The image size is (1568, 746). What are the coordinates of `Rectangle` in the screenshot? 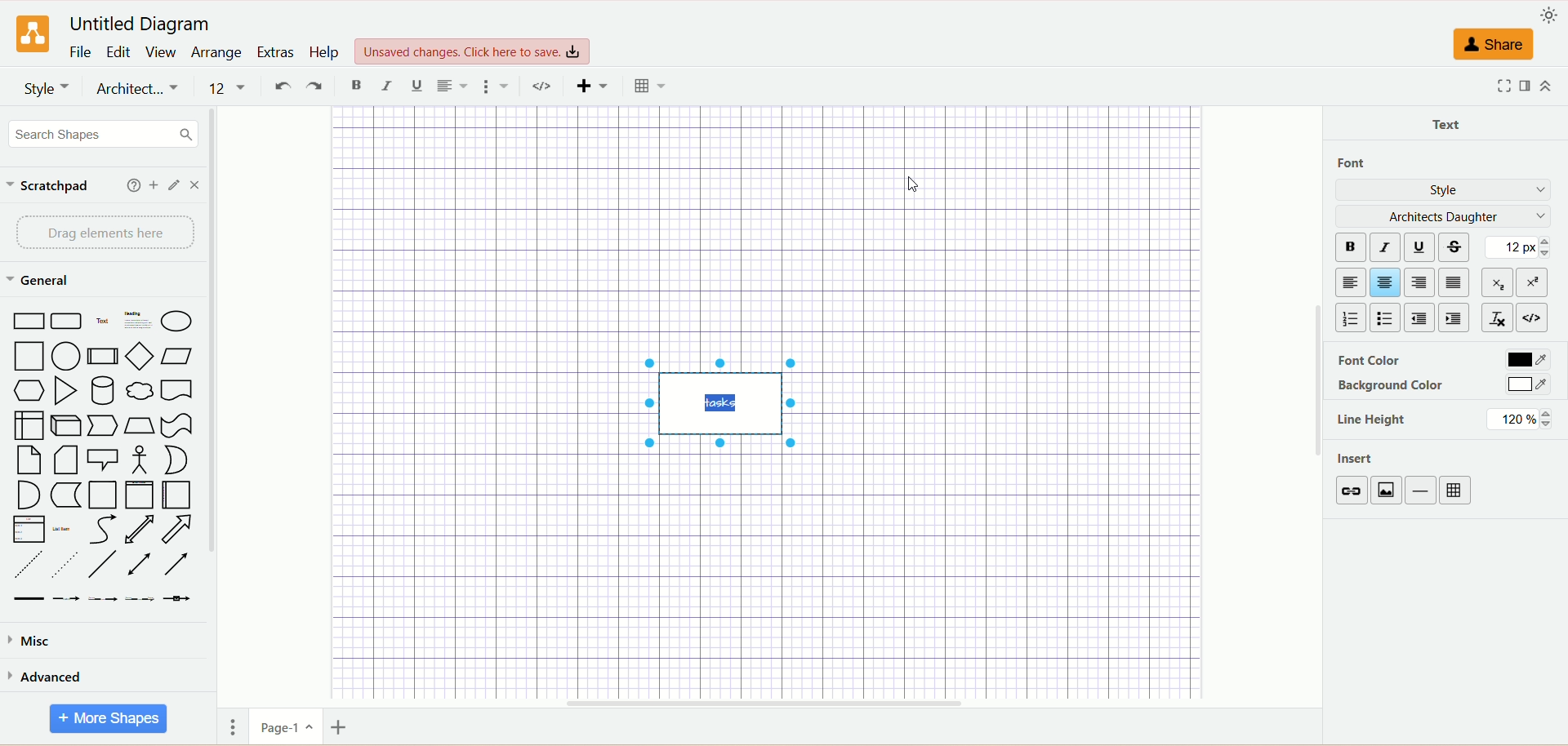 It's located at (28, 321).